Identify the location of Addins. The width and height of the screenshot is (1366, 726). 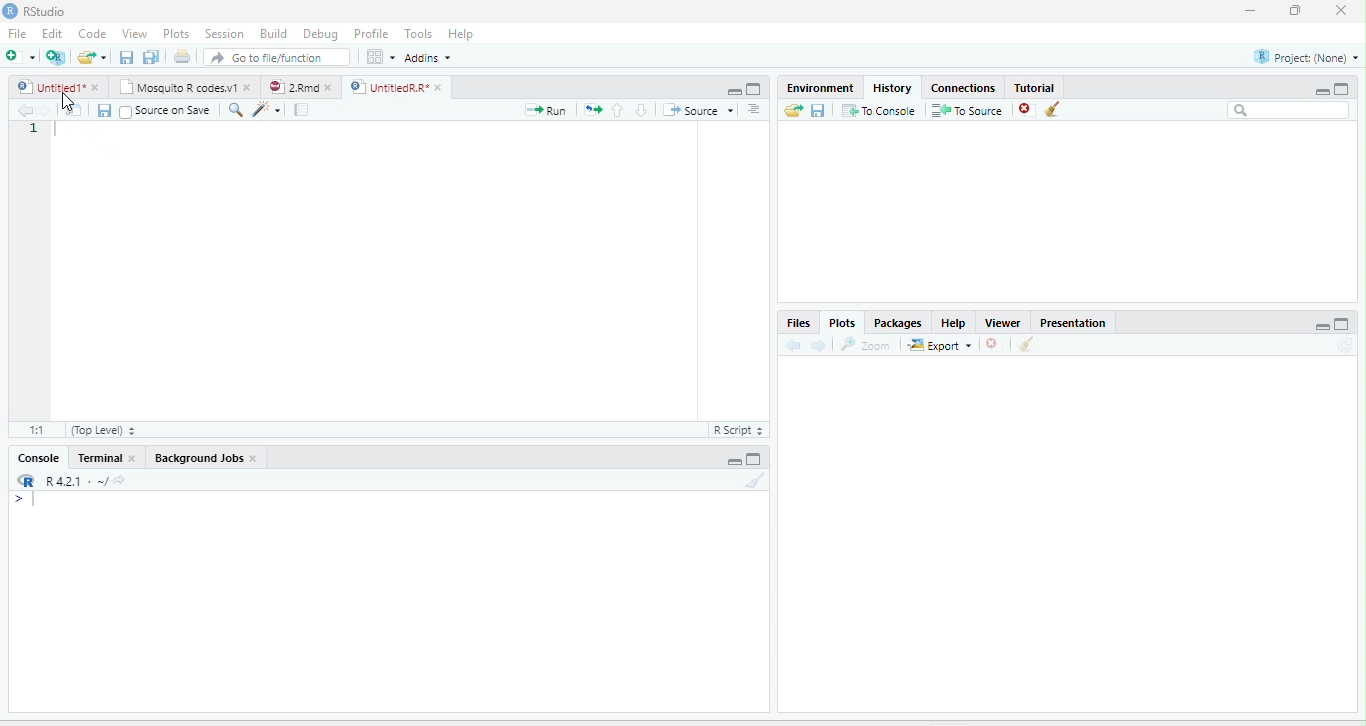
(428, 58).